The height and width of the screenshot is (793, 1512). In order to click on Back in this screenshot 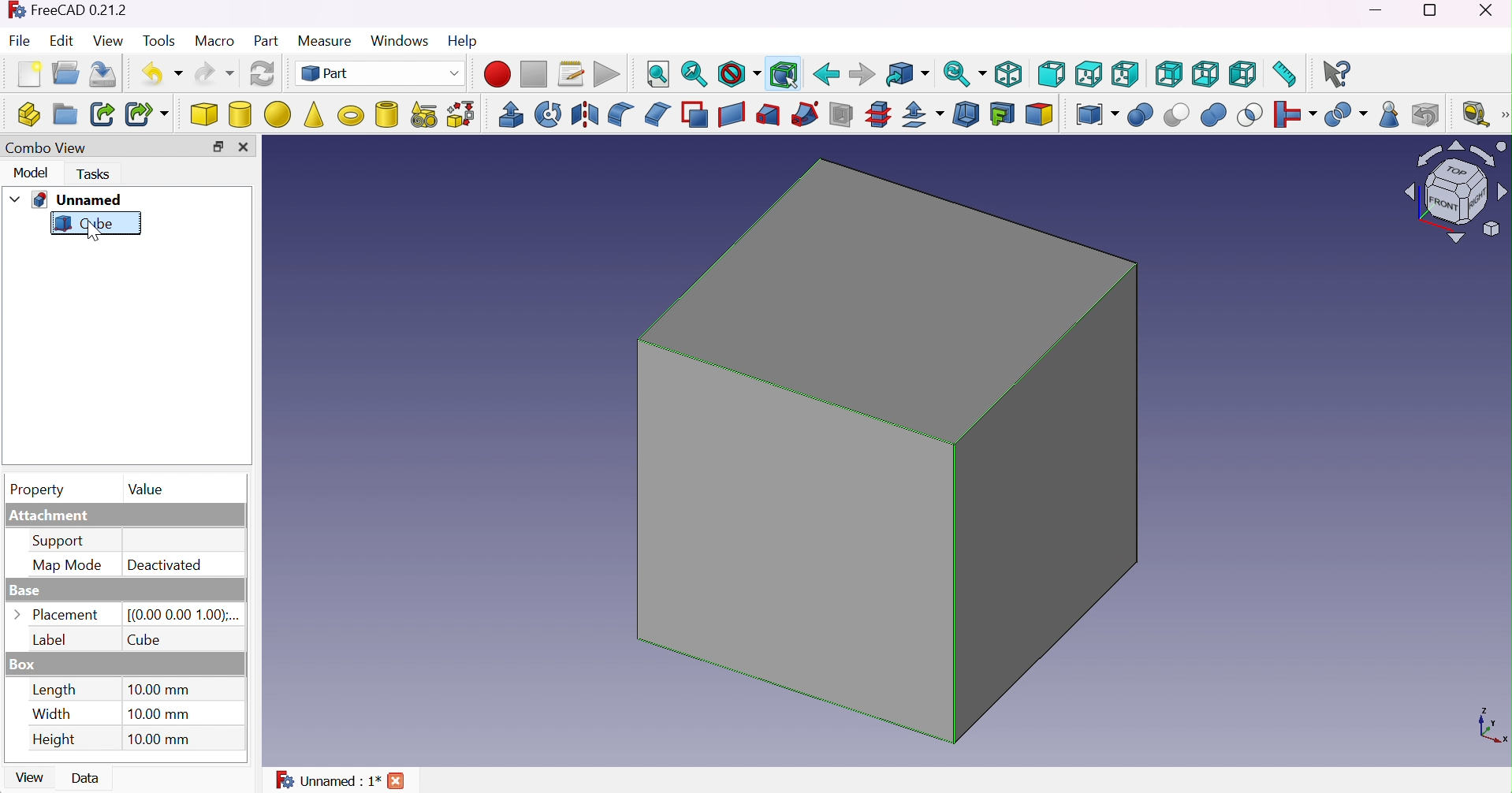, I will do `click(828, 73)`.